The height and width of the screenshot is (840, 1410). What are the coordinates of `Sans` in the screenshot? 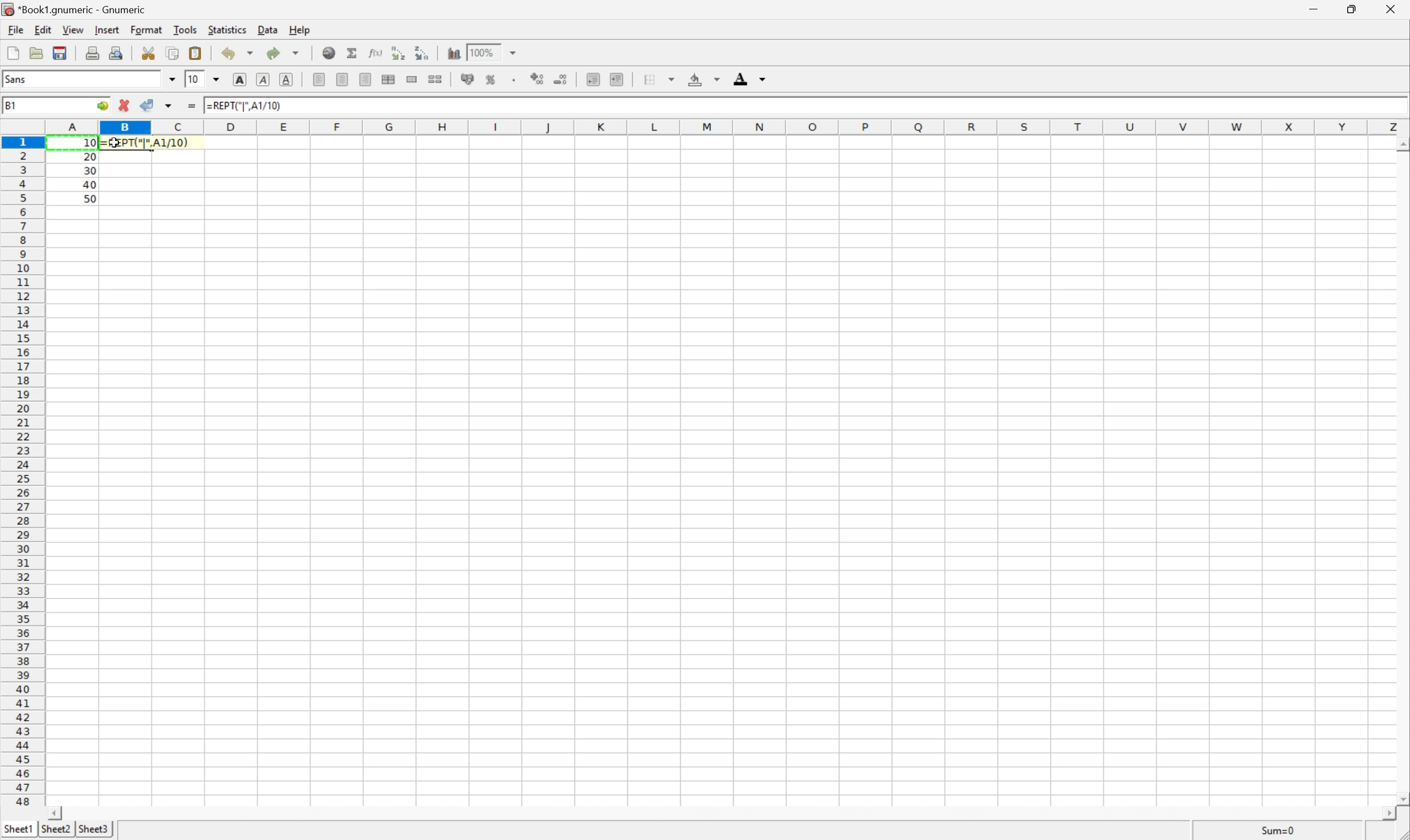 It's located at (19, 79).